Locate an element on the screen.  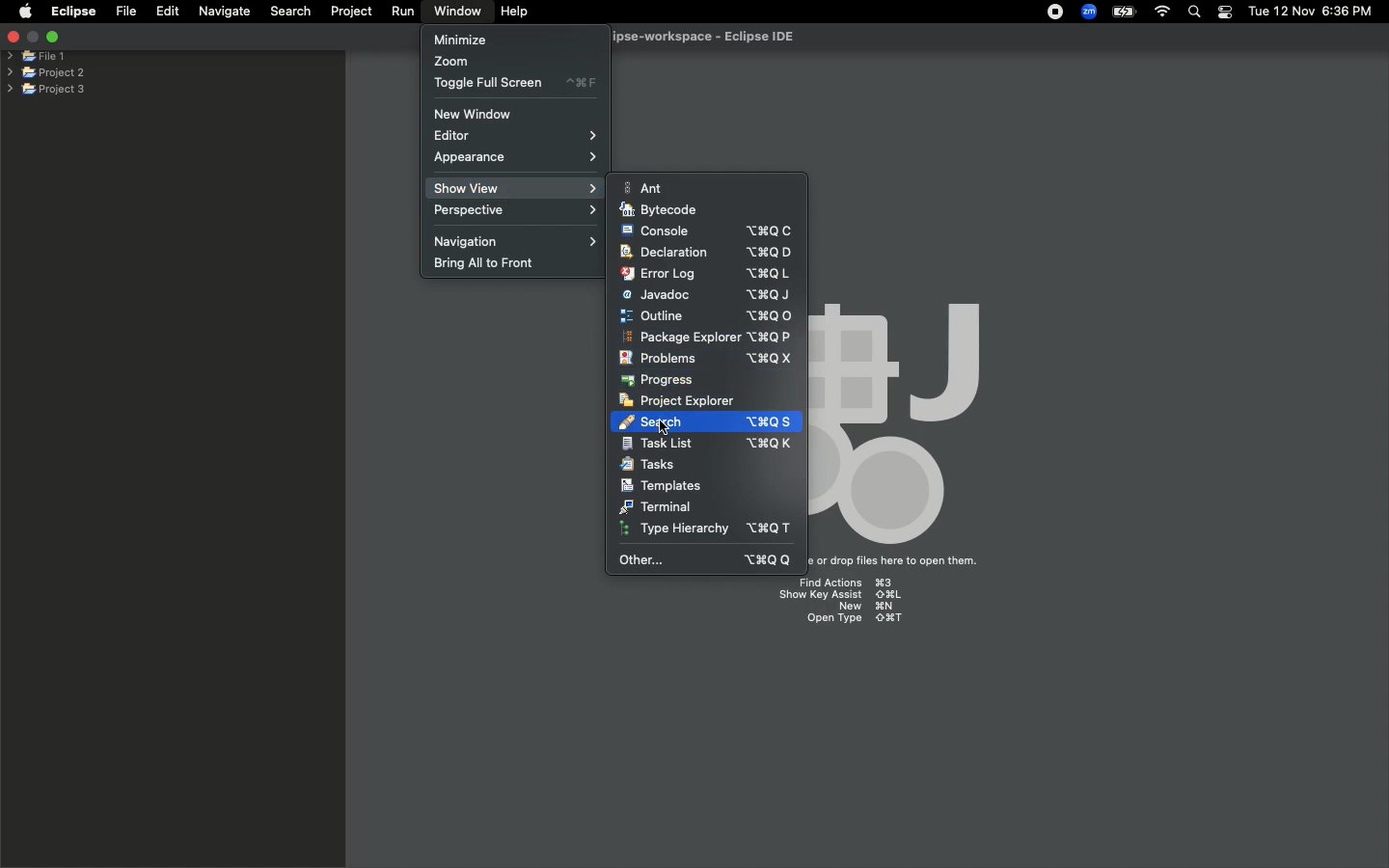
Error log is located at coordinates (705, 273).